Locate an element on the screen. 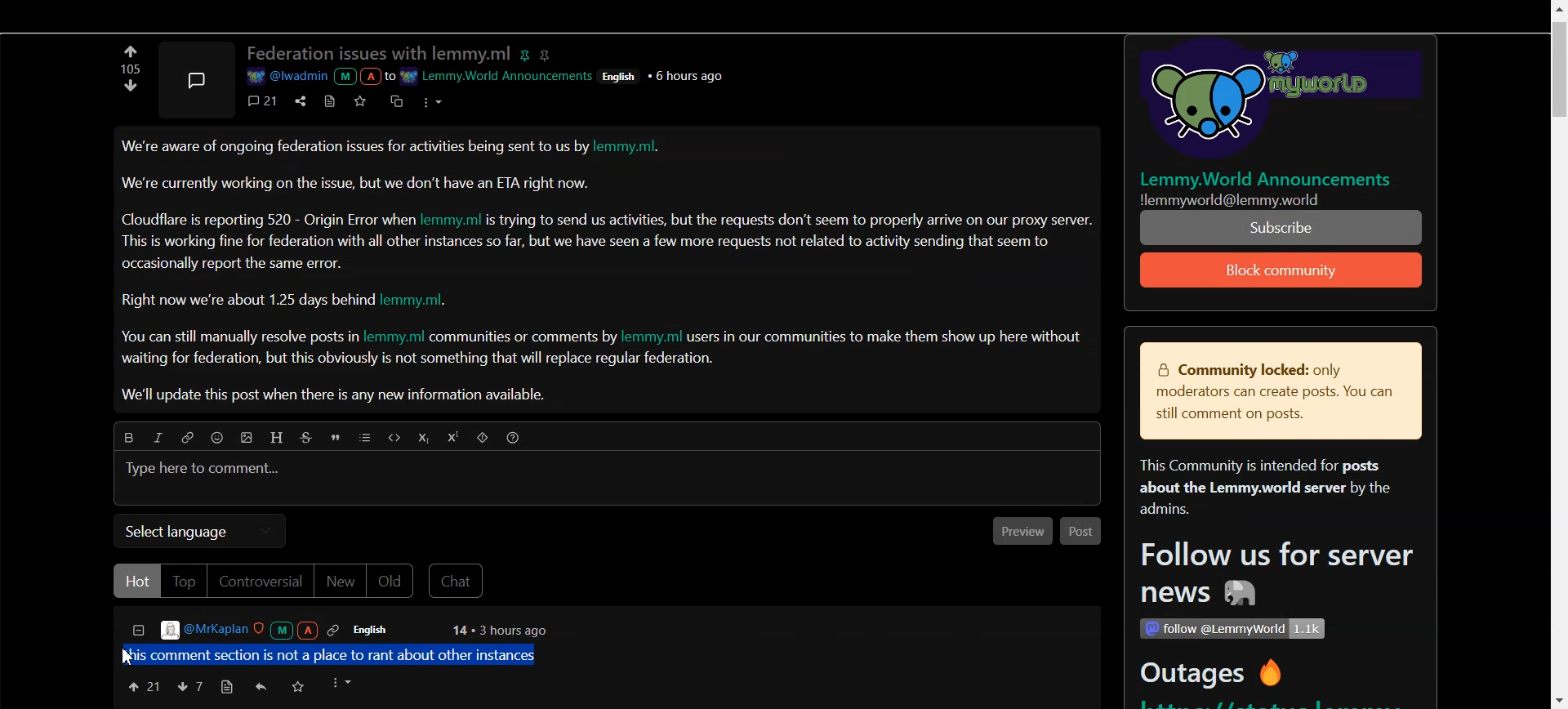 The image size is (1568, 709). options is located at coordinates (430, 100).